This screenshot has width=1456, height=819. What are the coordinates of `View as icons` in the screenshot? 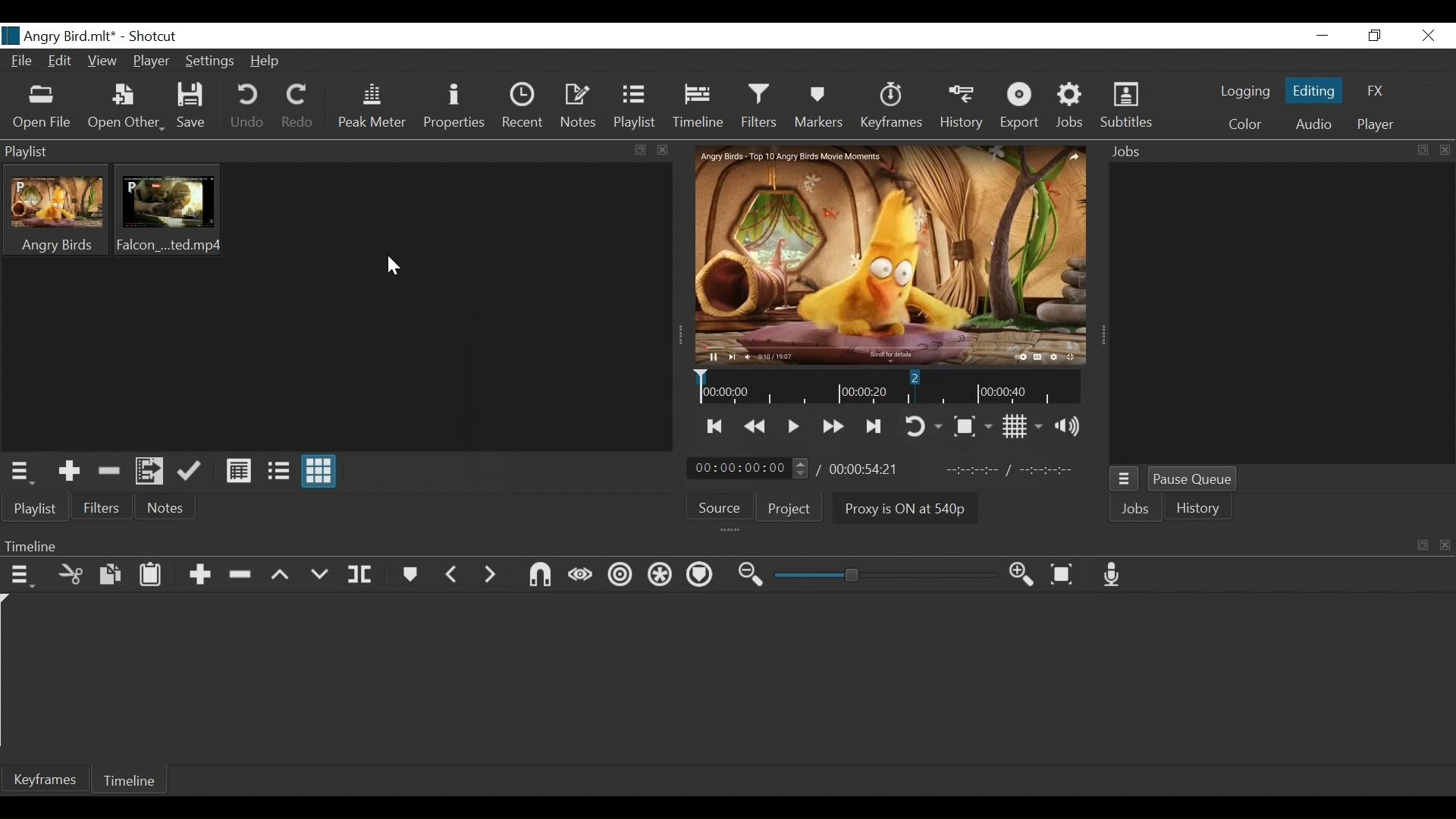 It's located at (321, 472).